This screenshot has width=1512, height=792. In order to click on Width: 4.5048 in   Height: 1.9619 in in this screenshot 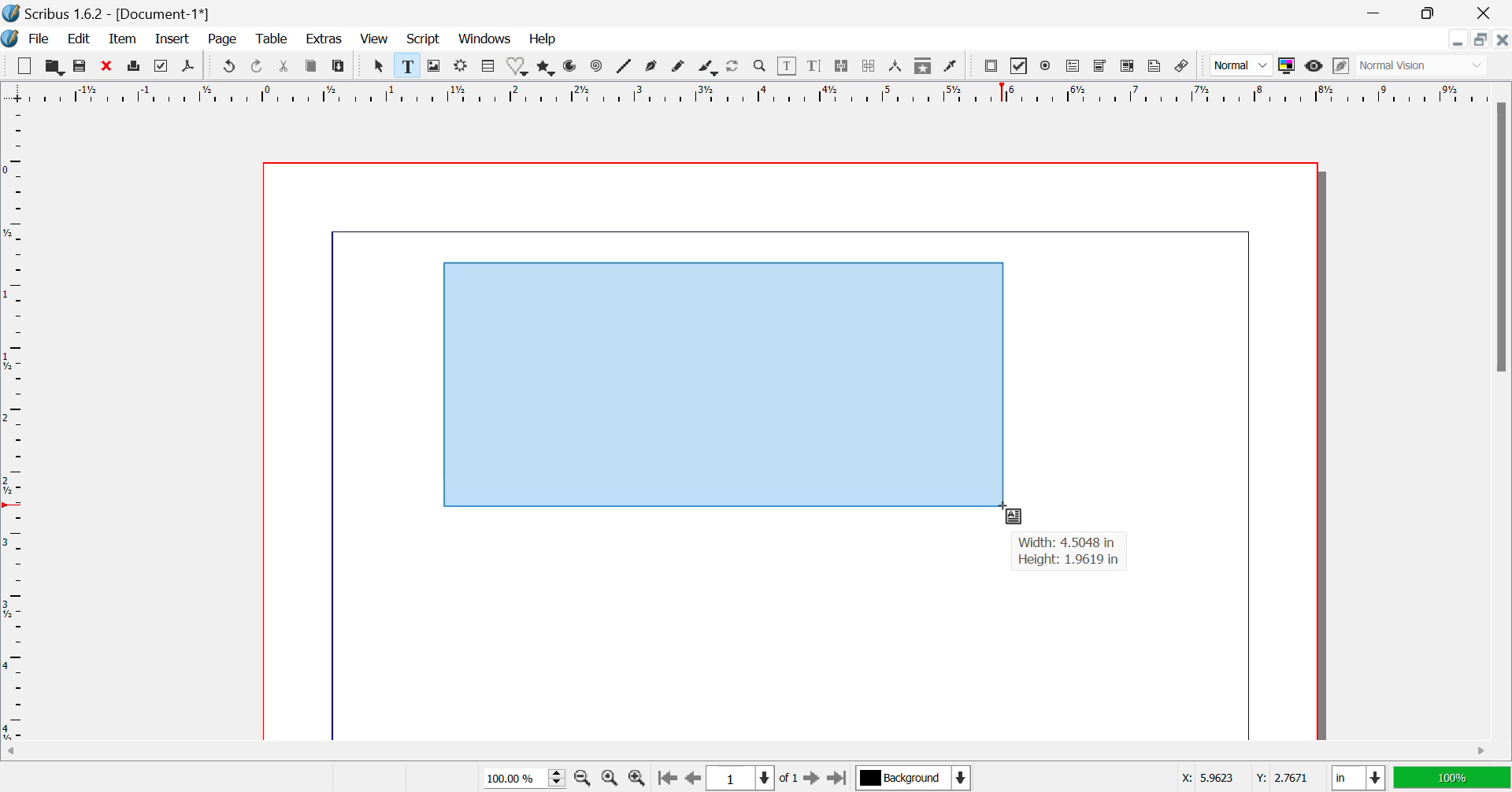, I will do `click(1069, 551)`.